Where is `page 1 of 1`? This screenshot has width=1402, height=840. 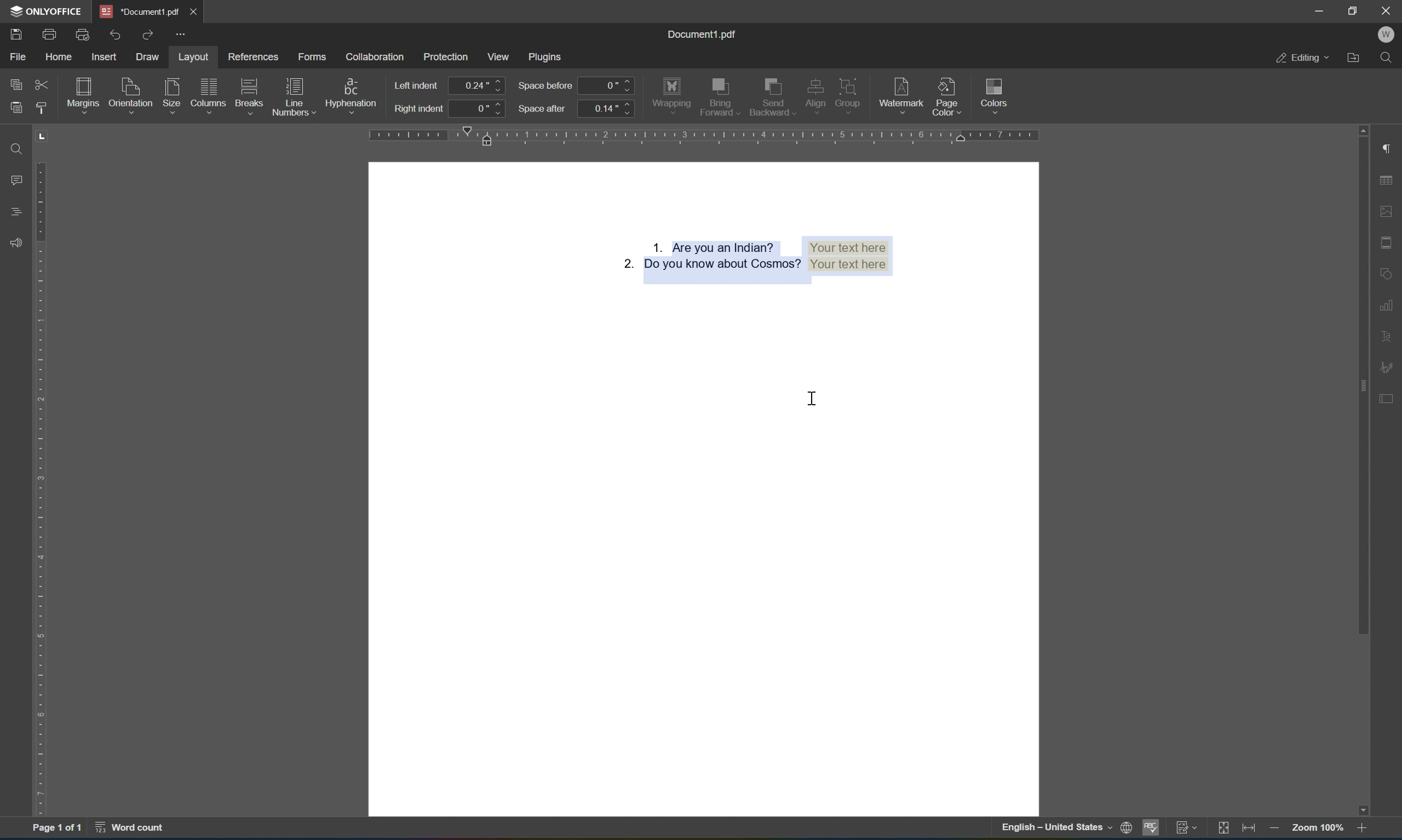
page 1 of 1 is located at coordinates (57, 829).